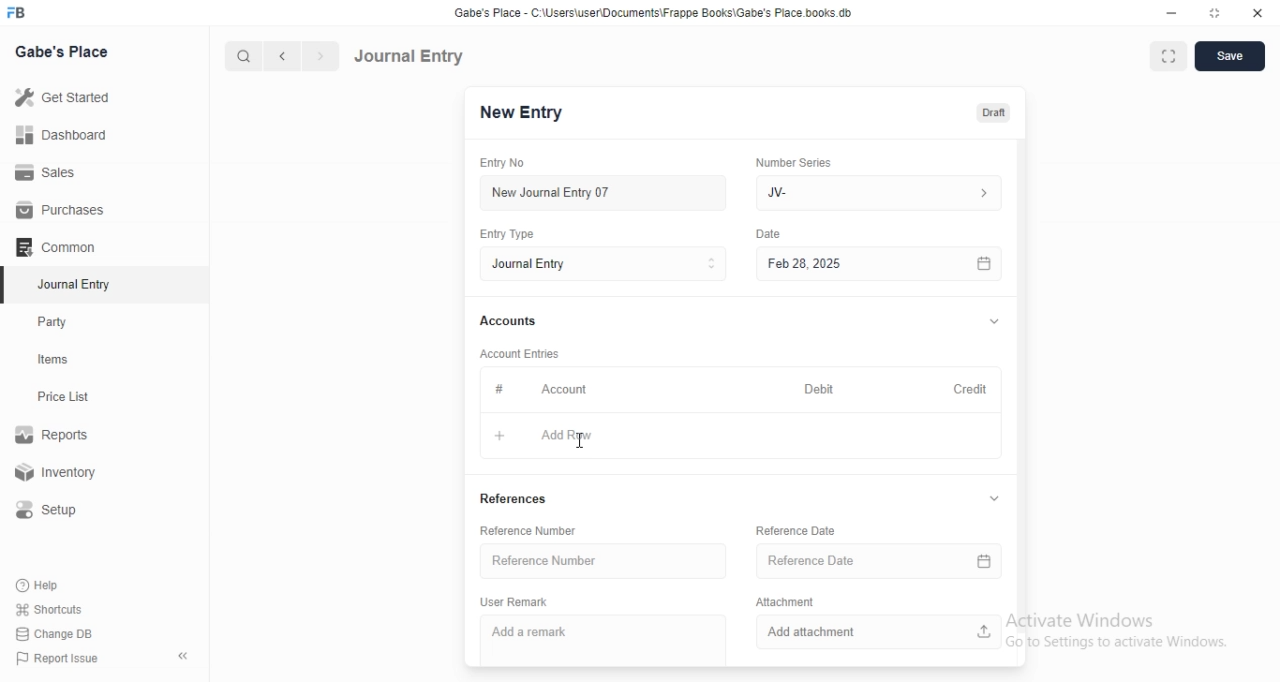 The width and height of the screenshot is (1280, 682). I want to click on Debit, so click(815, 387).